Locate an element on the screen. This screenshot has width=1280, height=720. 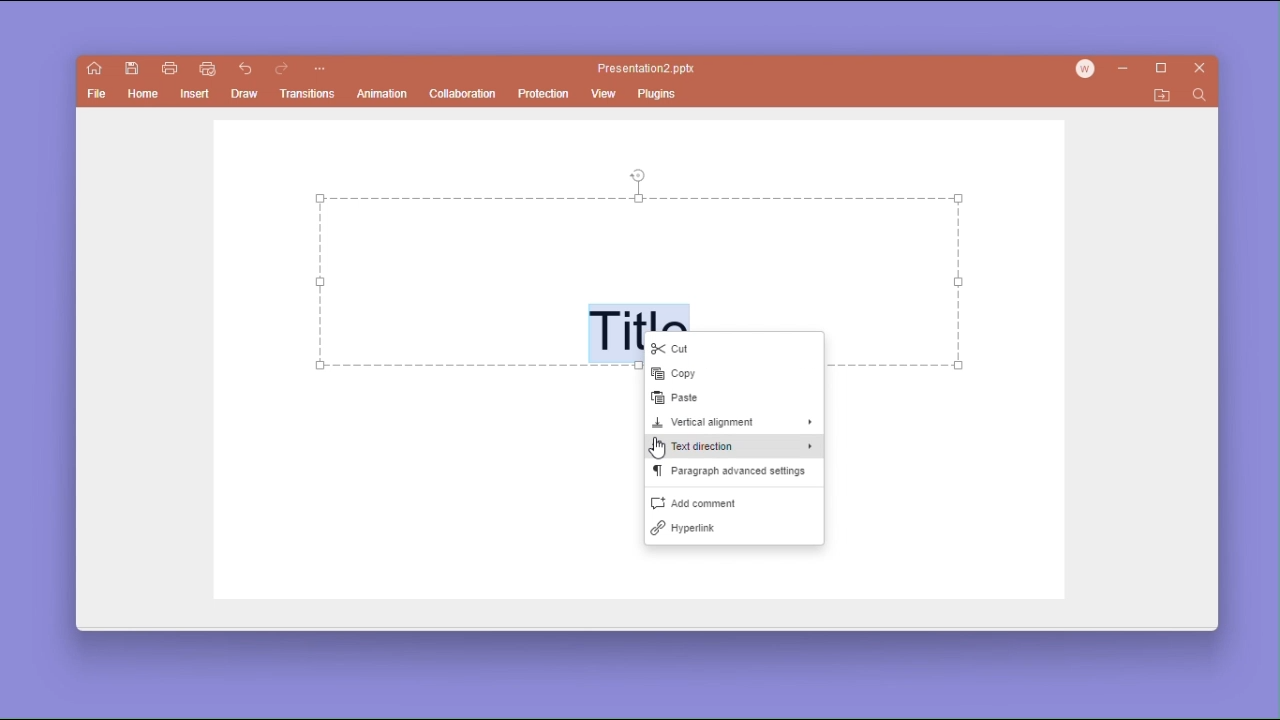
insert is located at coordinates (194, 96).